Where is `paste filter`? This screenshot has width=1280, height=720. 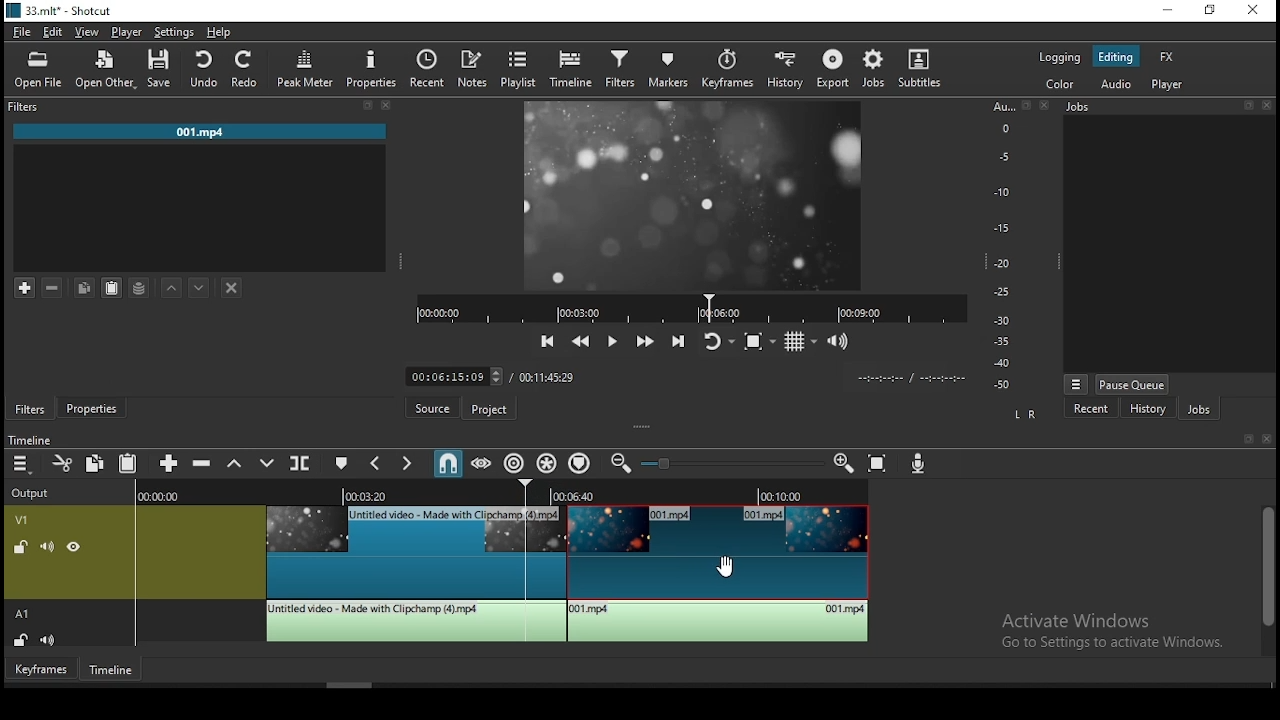
paste filter is located at coordinates (111, 286).